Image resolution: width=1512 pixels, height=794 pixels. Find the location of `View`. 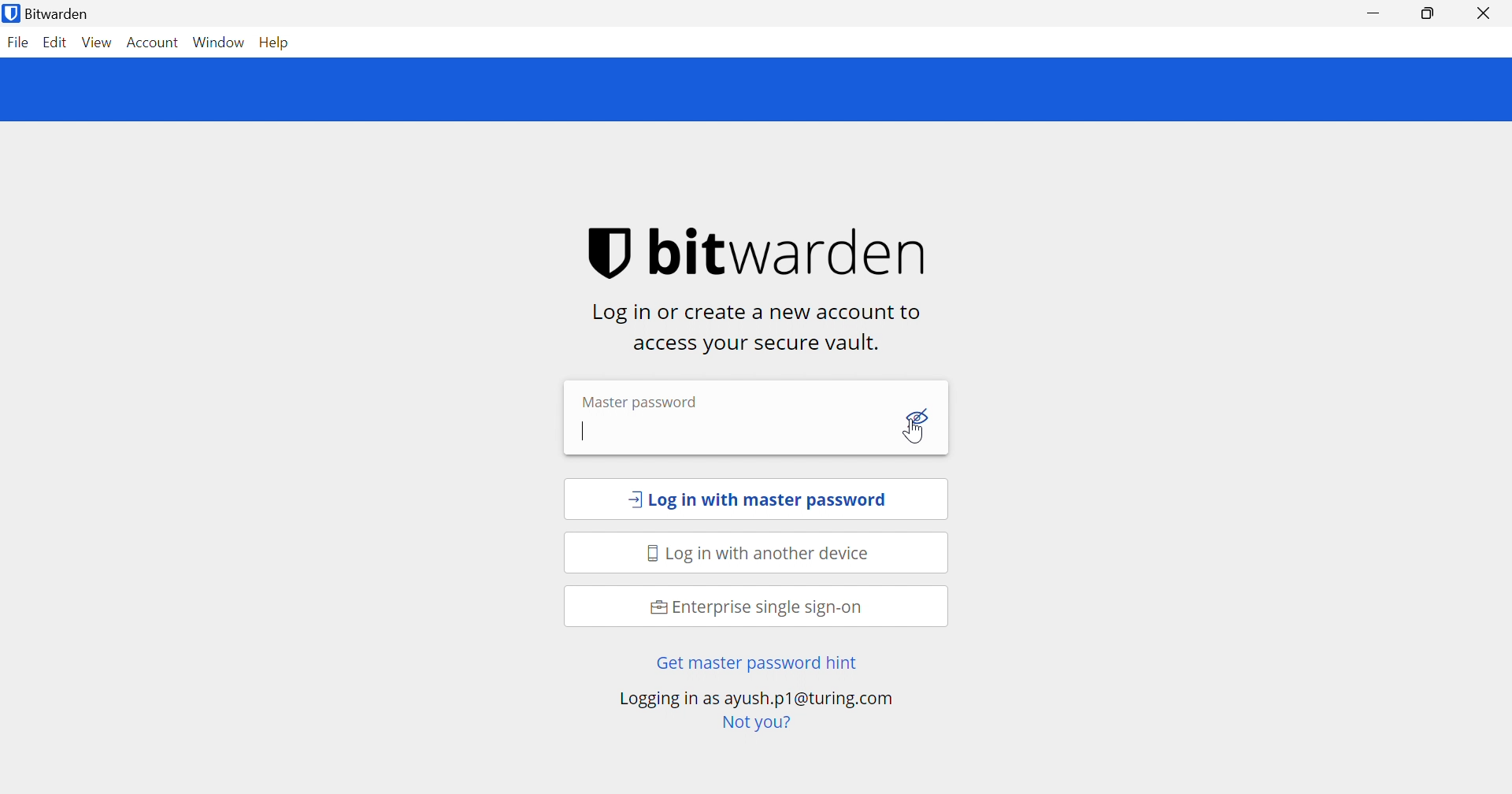

View is located at coordinates (98, 43).